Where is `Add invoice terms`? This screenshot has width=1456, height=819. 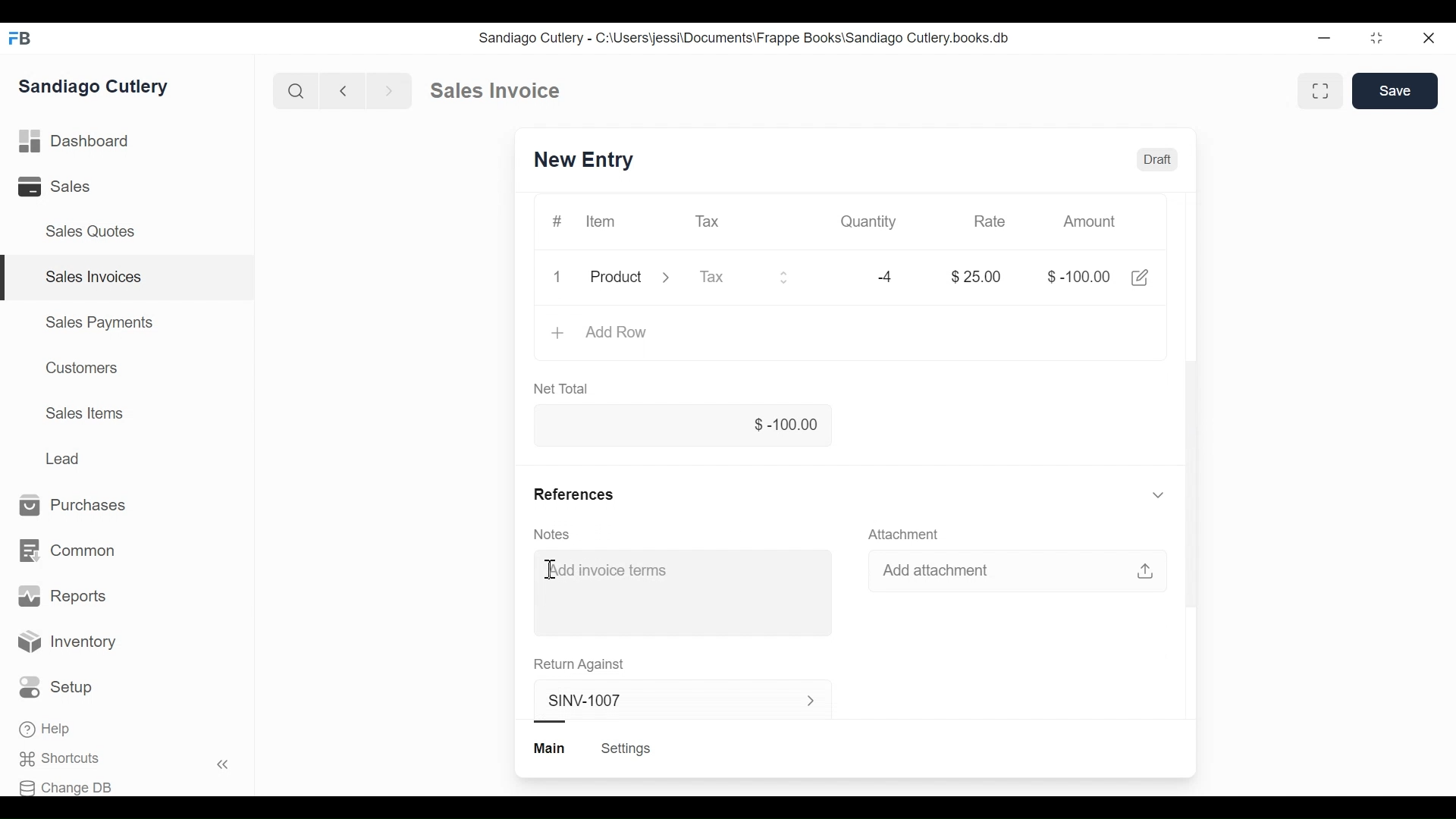
Add invoice terms is located at coordinates (607, 570).